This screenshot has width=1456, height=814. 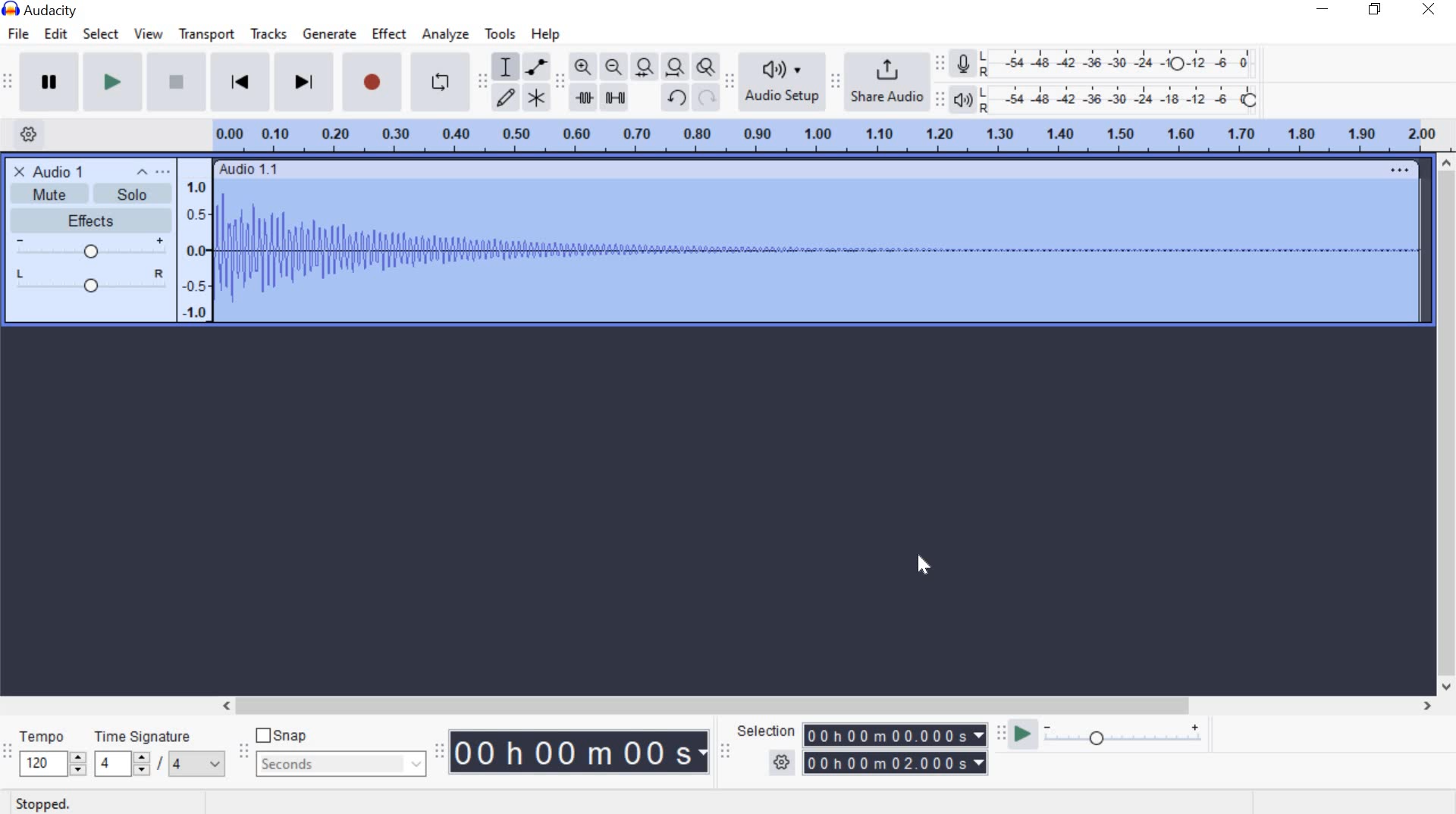 I want to click on Multi-Tool, so click(x=536, y=96).